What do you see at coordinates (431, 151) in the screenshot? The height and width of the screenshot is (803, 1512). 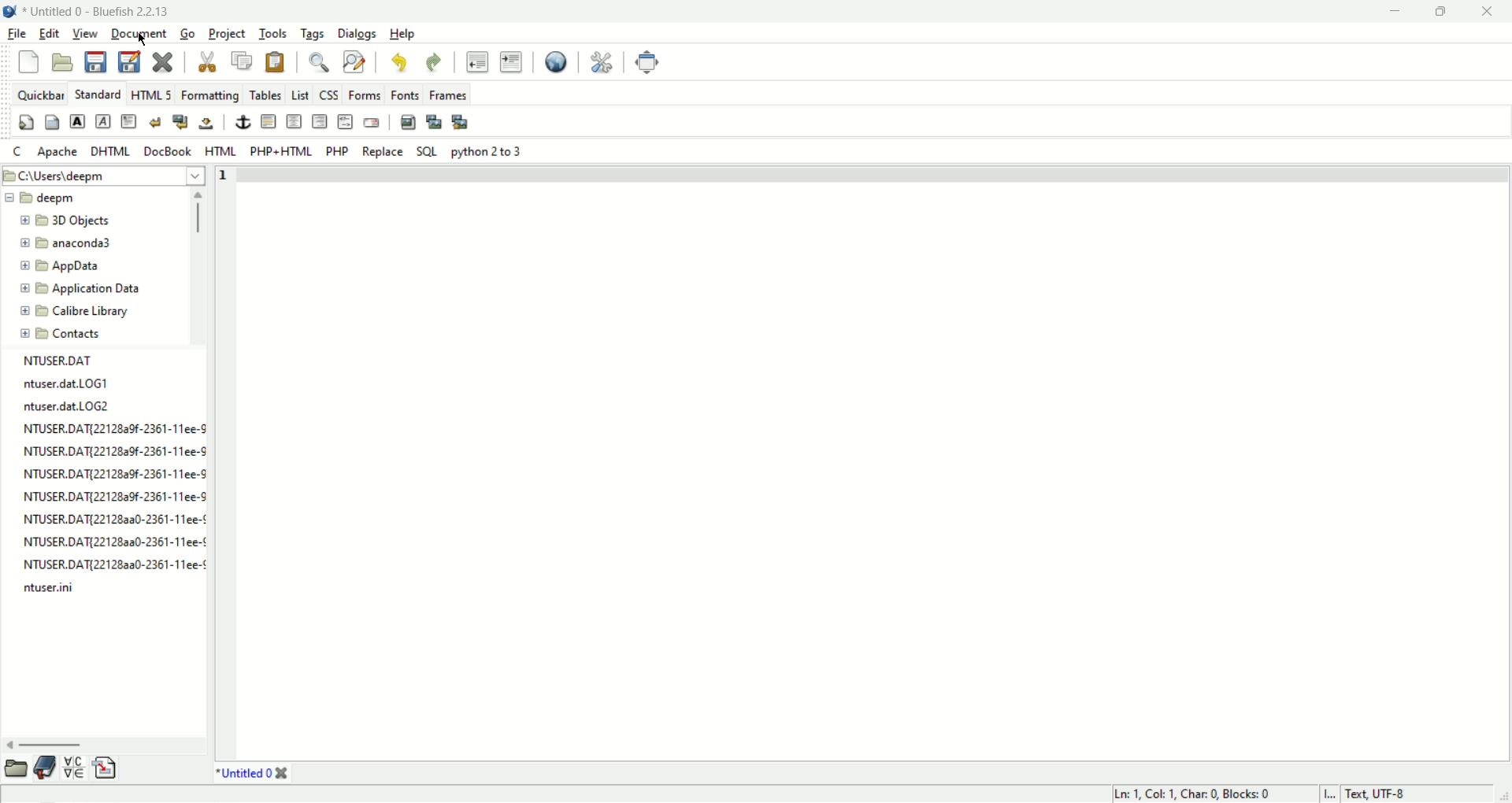 I see `SQL` at bounding box center [431, 151].